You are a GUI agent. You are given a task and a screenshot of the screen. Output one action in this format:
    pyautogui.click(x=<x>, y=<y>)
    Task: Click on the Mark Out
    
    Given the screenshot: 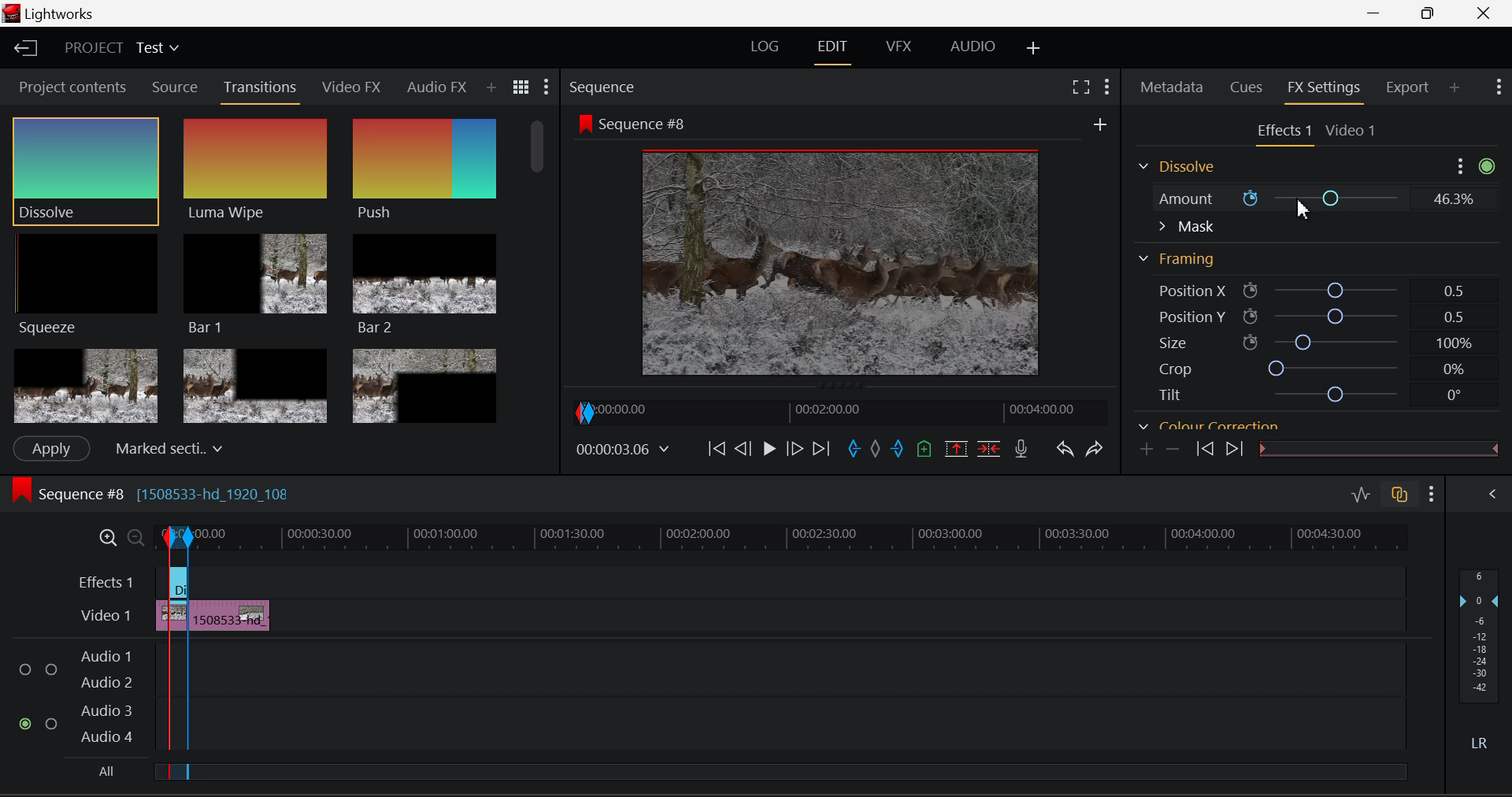 What is the action you would take?
    pyautogui.click(x=898, y=451)
    